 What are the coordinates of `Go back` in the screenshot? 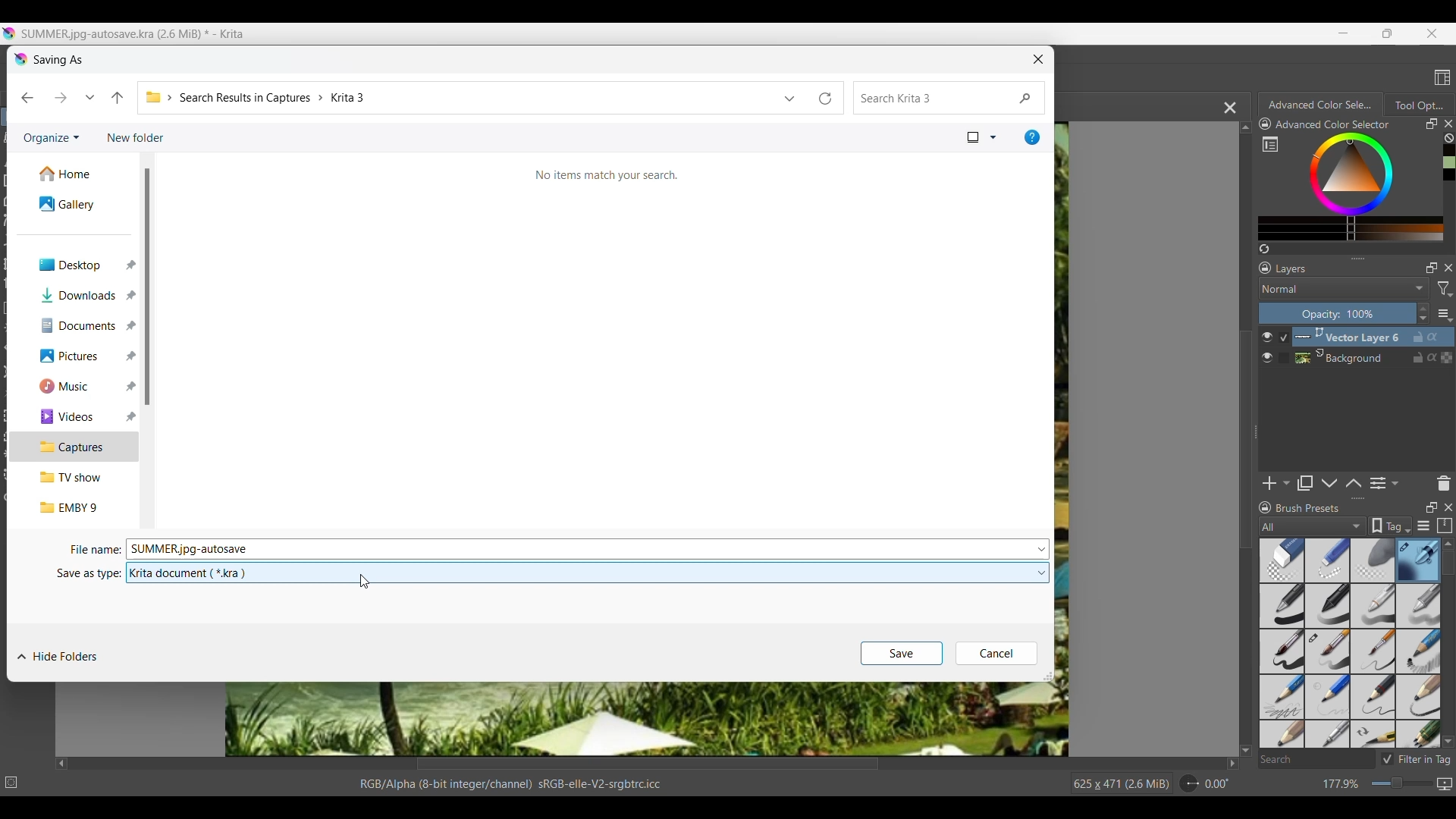 It's located at (27, 98).